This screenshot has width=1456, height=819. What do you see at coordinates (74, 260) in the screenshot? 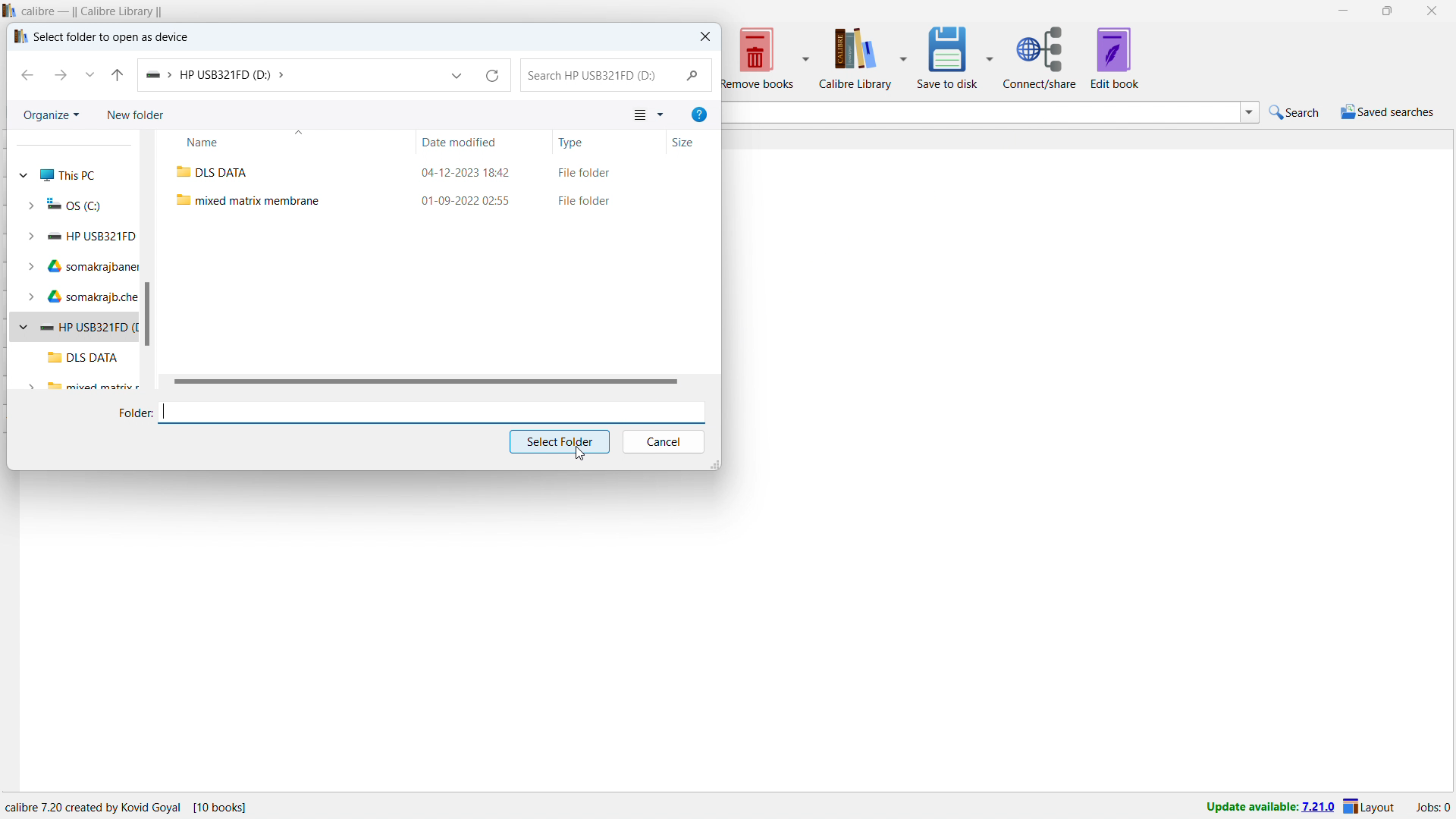
I see `quick access folders` at bounding box center [74, 260].